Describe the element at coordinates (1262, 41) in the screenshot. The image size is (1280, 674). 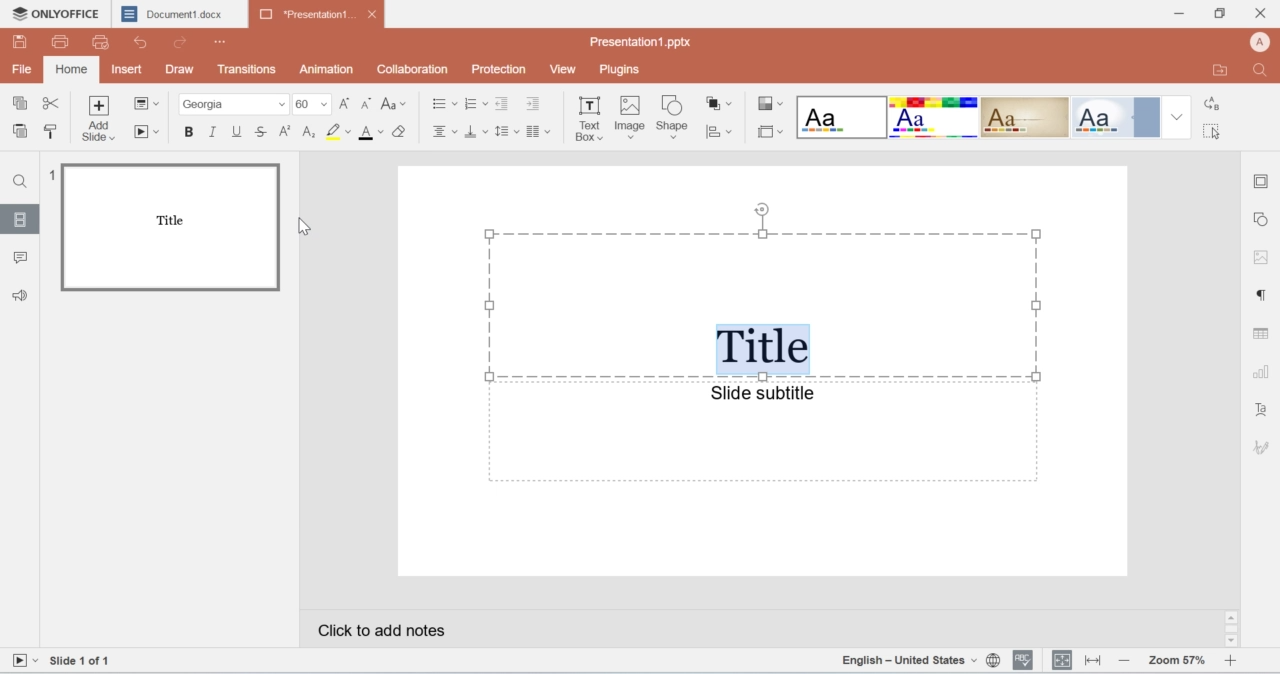
I see `account` at that location.